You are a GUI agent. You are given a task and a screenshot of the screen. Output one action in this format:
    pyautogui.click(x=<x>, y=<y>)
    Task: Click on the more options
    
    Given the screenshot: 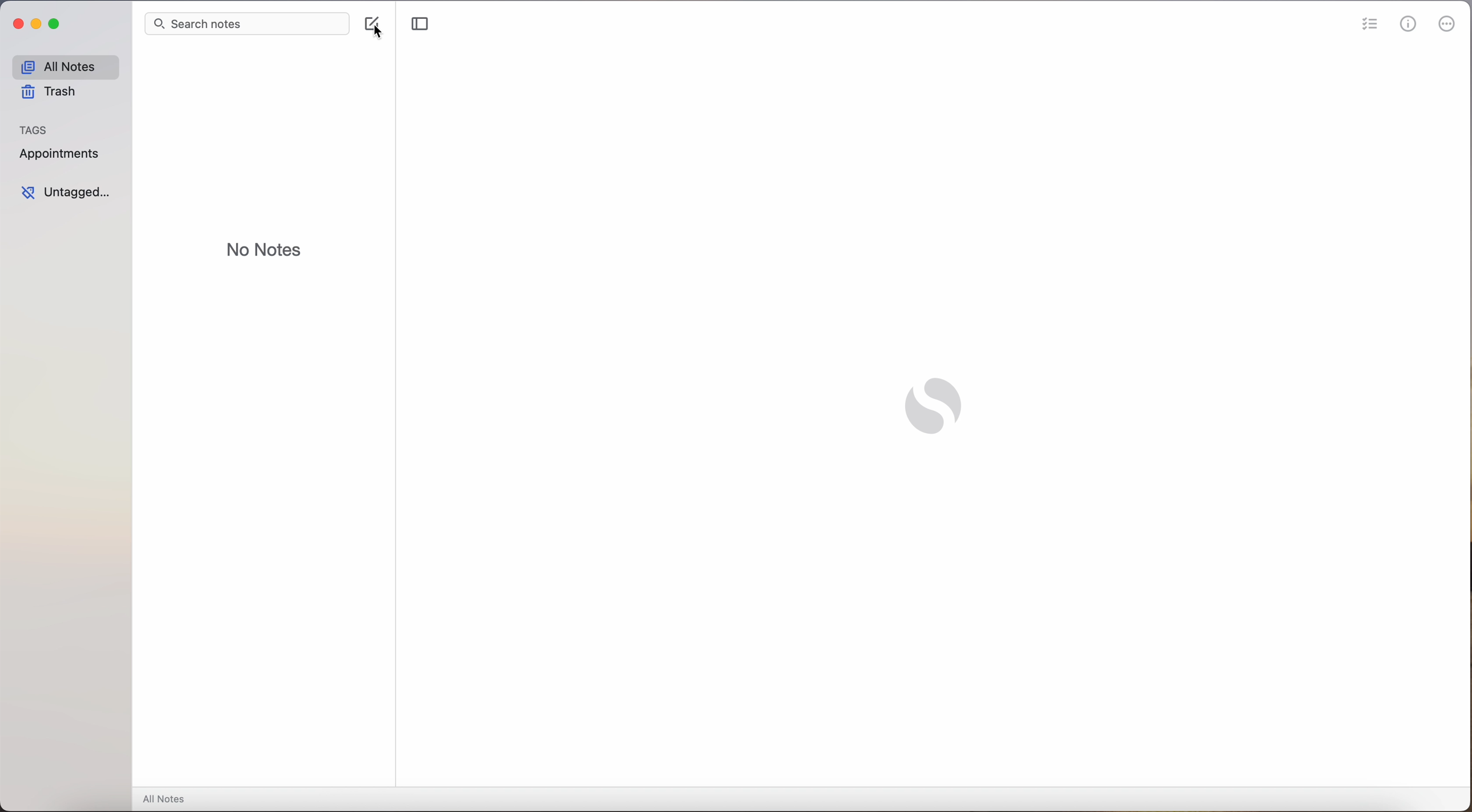 What is the action you would take?
    pyautogui.click(x=1448, y=25)
    